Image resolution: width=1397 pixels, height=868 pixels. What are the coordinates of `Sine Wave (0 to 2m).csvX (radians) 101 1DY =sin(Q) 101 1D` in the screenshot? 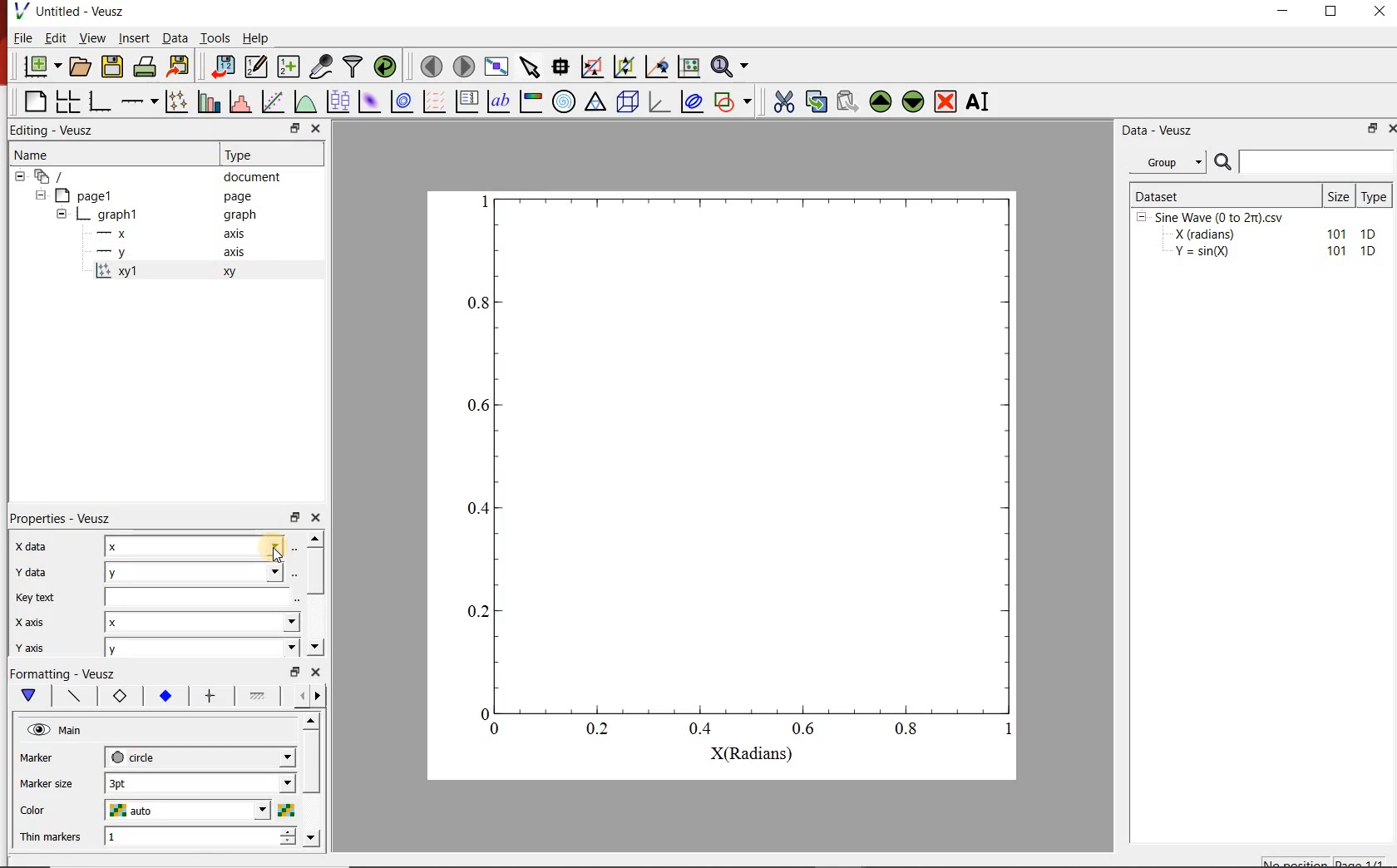 It's located at (1258, 239).